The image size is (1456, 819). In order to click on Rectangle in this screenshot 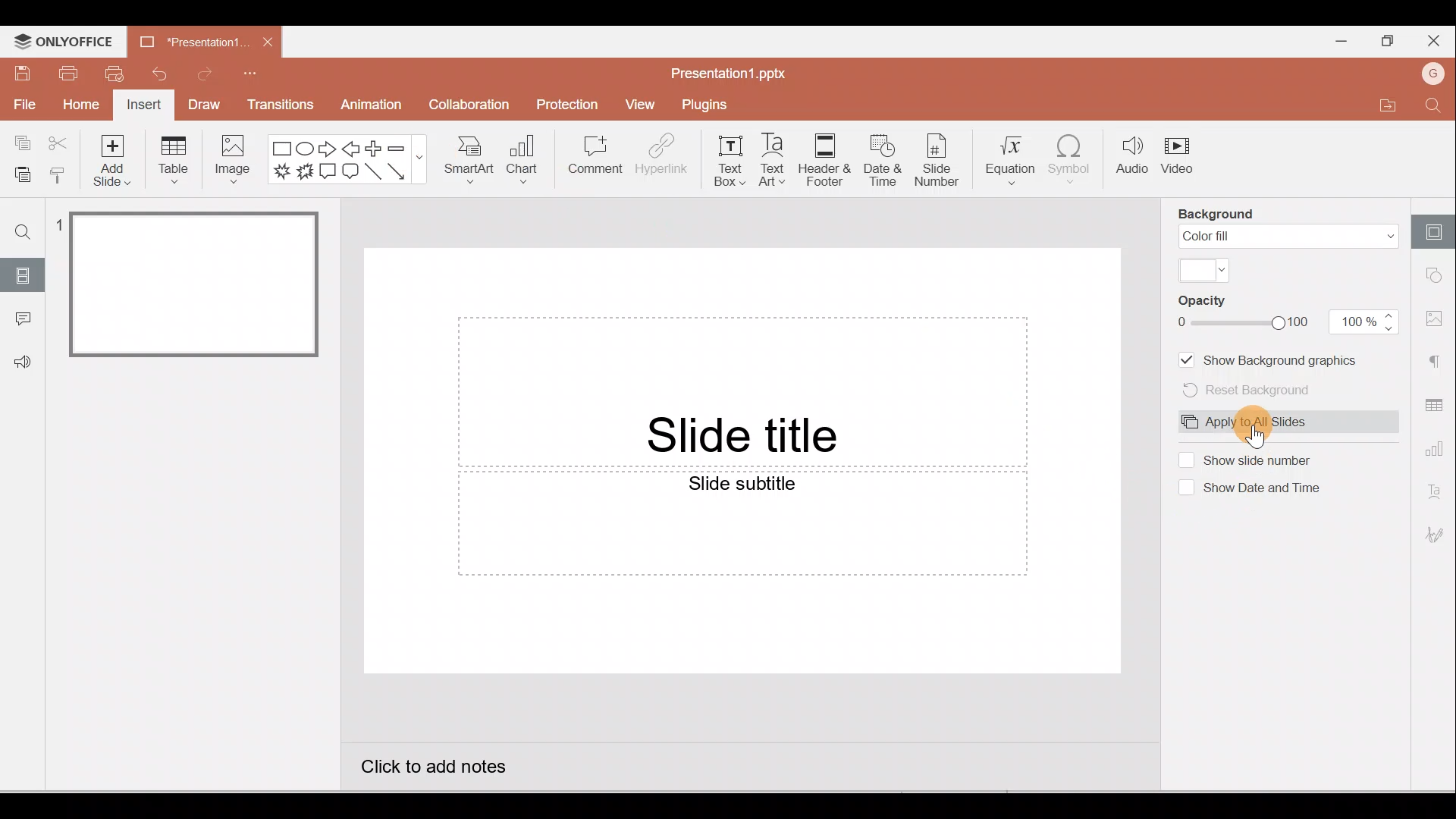, I will do `click(281, 147)`.